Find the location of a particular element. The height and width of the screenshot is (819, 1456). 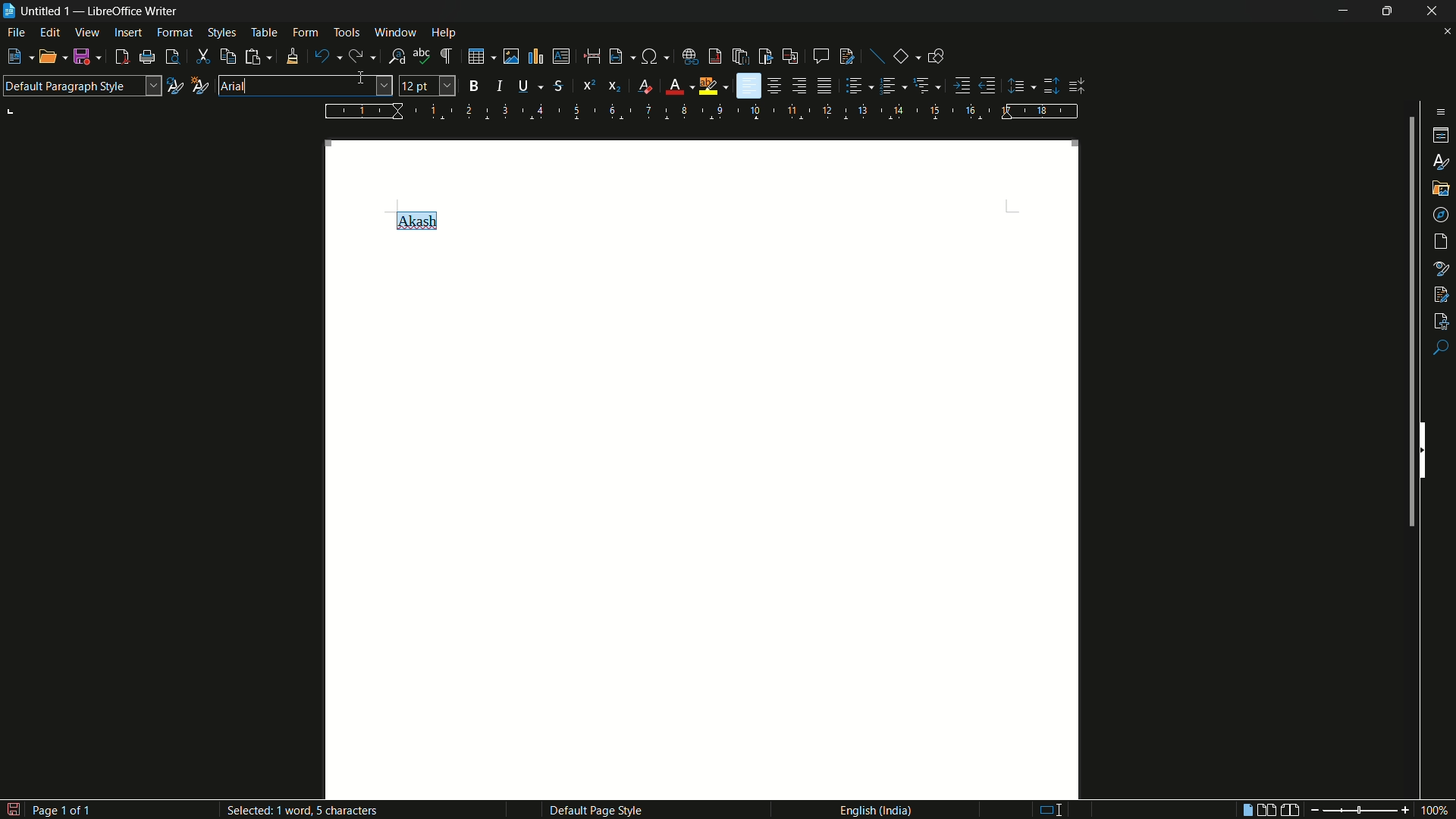

set line spacing is located at coordinates (1018, 86).